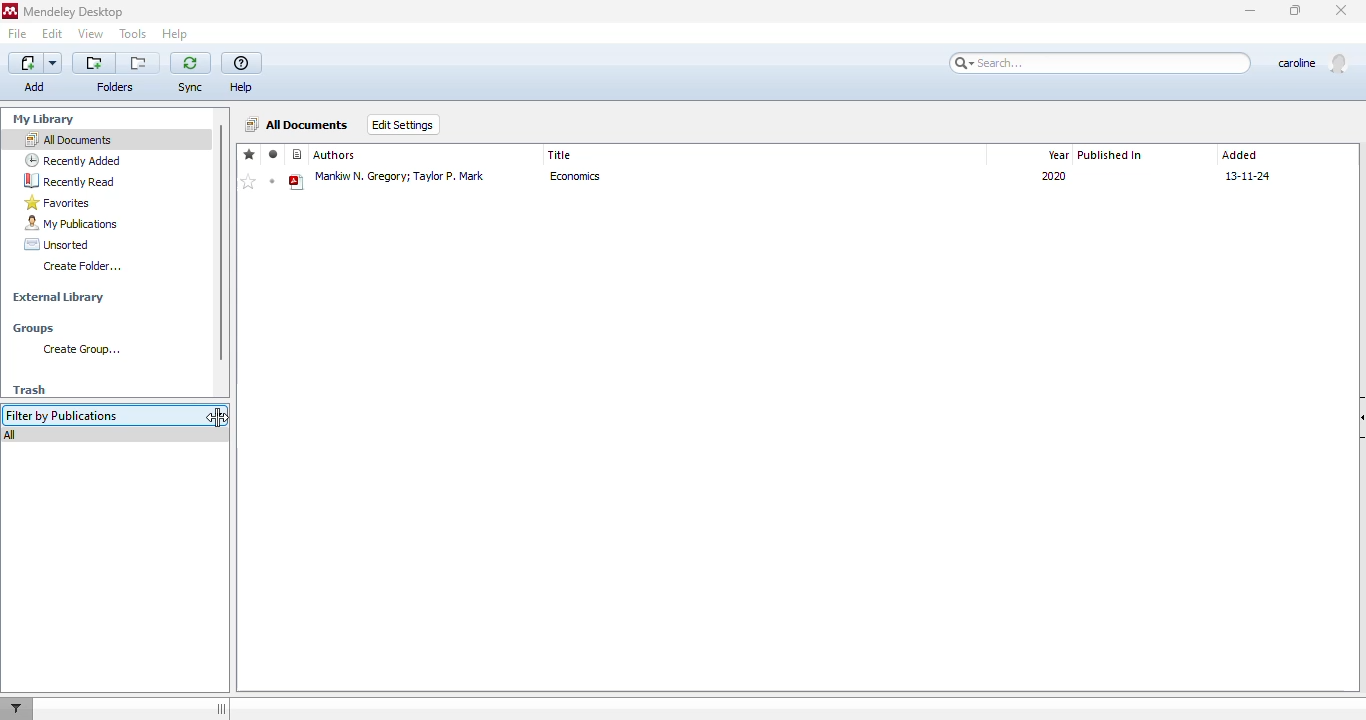 Image resolution: width=1366 pixels, height=720 pixels. I want to click on my publications, so click(70, 223).